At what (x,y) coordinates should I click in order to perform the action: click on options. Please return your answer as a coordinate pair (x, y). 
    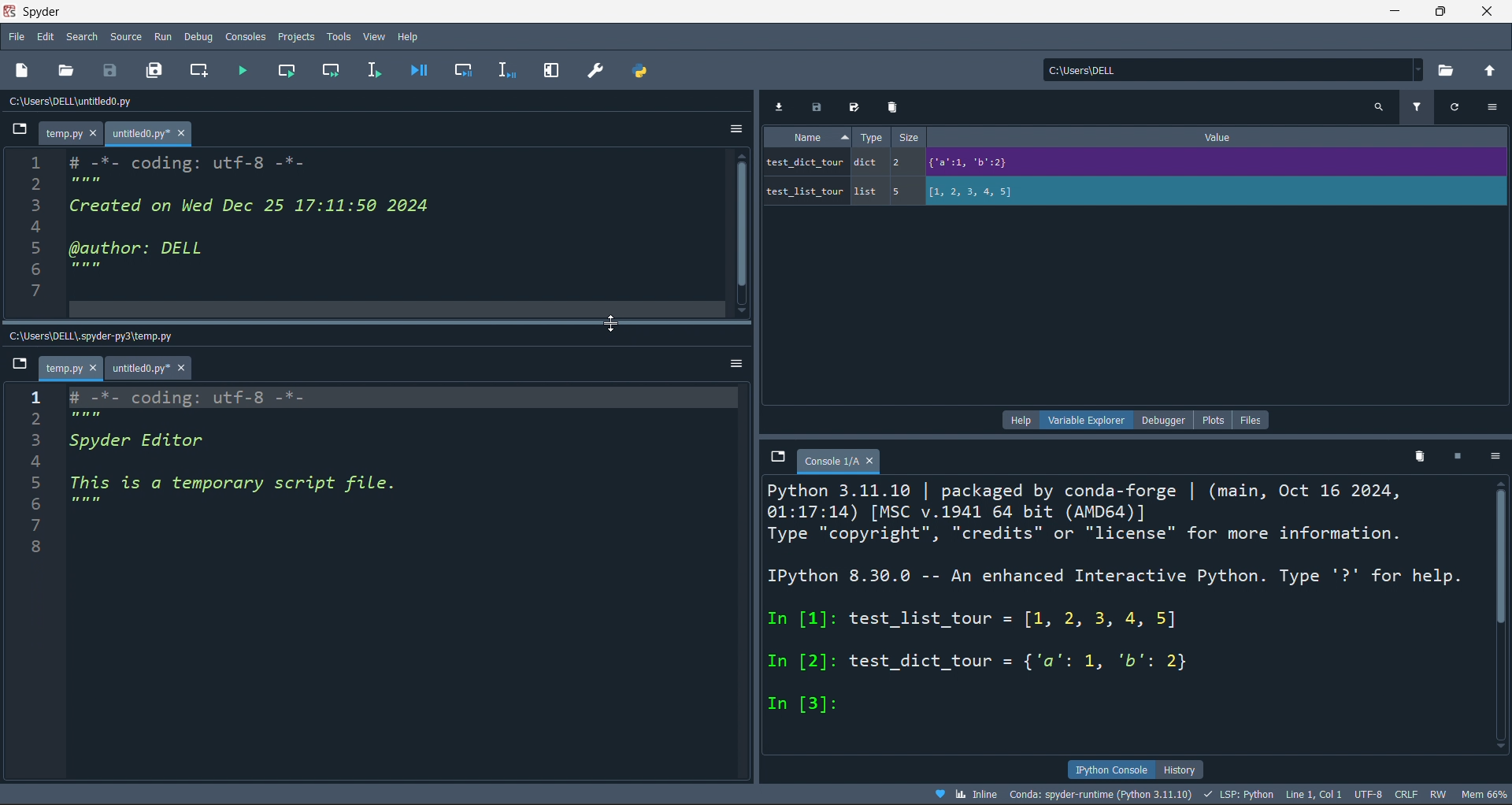
    Looking at the image, I should click on (734, 363).